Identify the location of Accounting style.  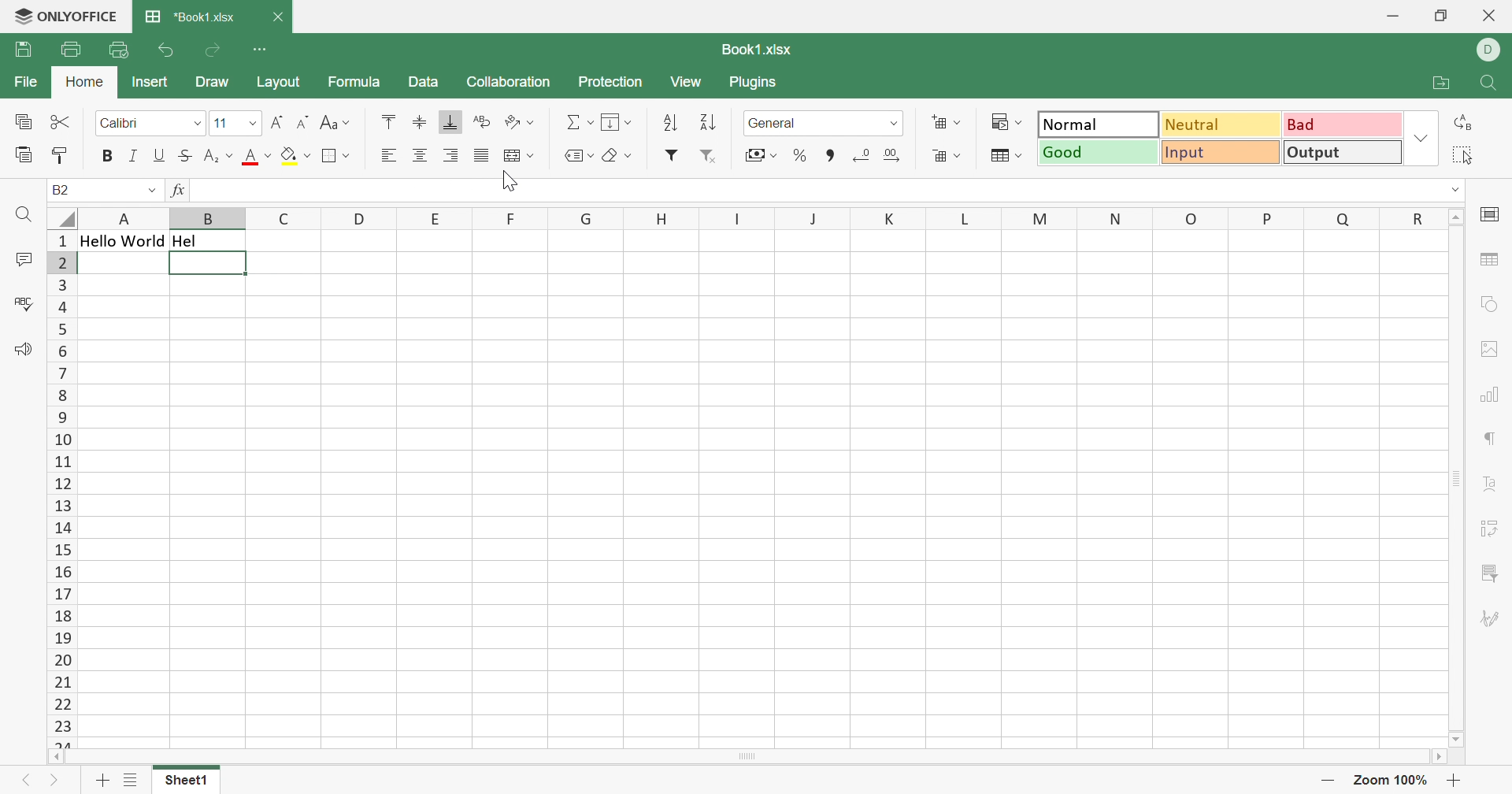
(760, 154).